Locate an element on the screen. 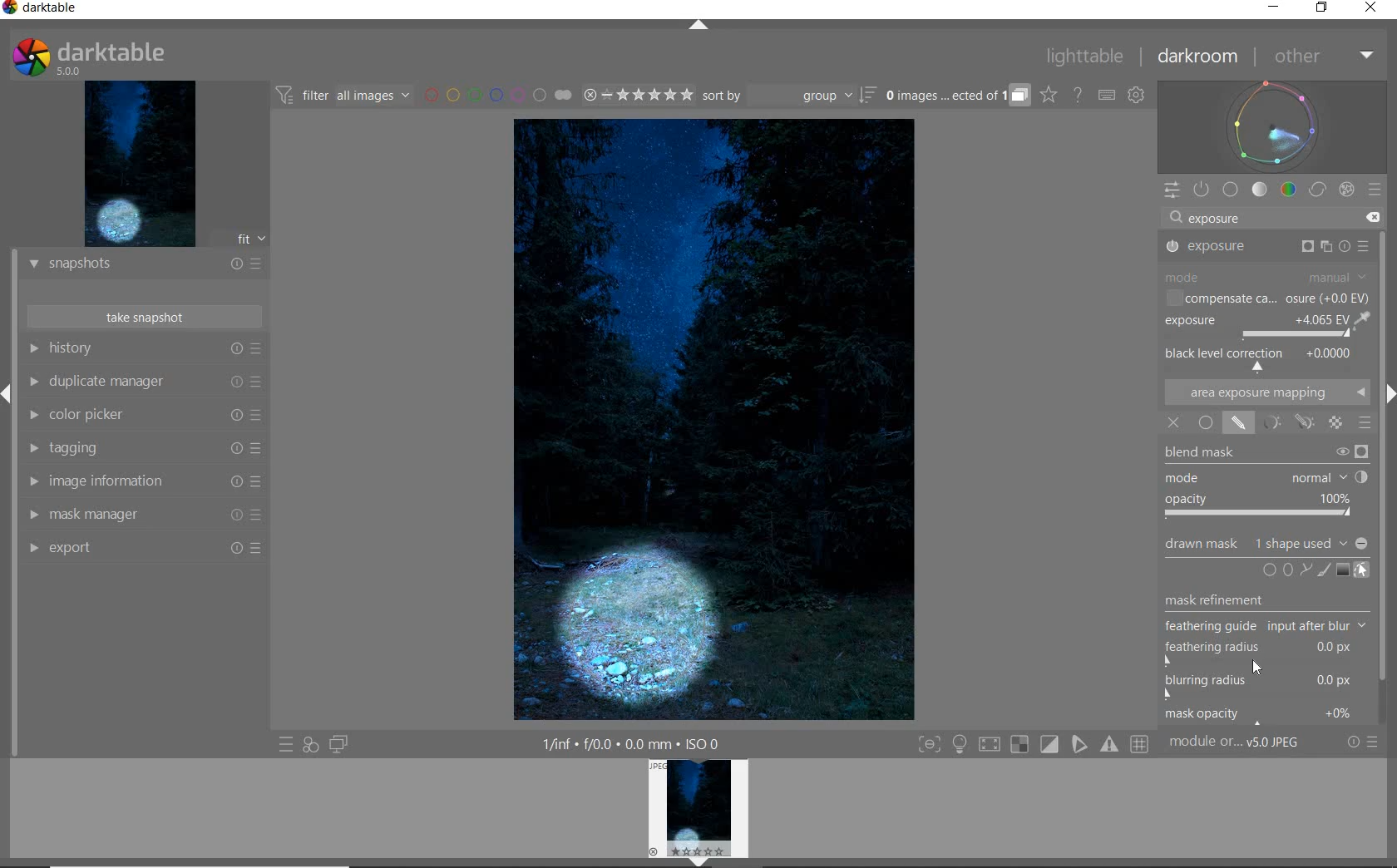  EXPOSURE ADJUSTED is located at coordinates (1270, 323).